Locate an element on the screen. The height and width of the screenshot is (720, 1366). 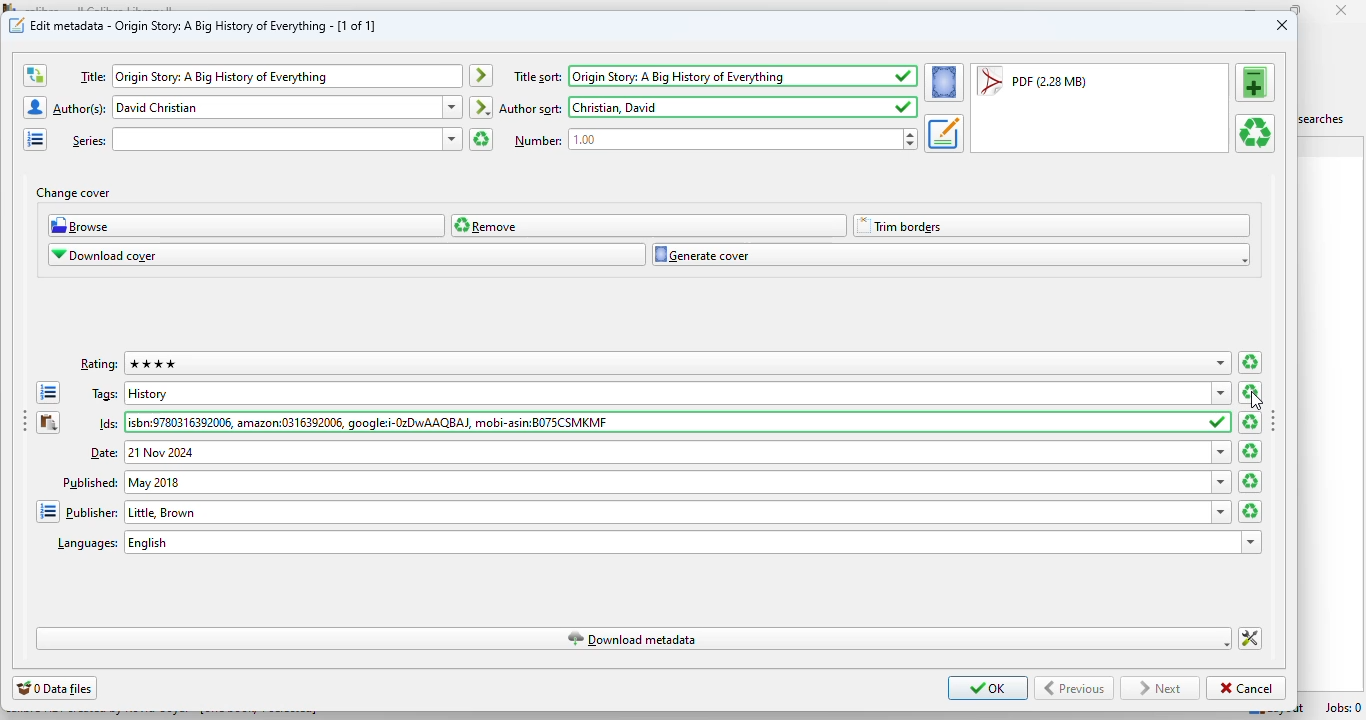
number: 1.00 is located at coordinates (734, 139).